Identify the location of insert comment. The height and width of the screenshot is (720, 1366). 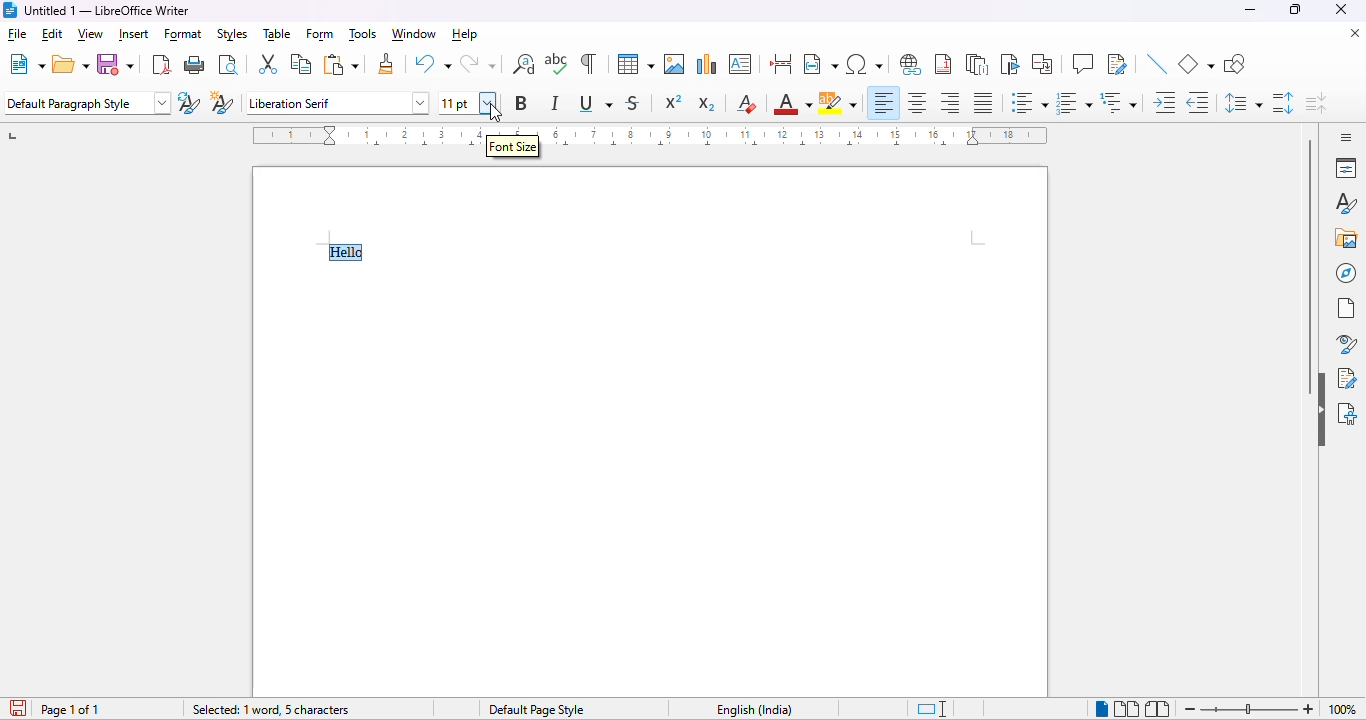
(1083, 63).